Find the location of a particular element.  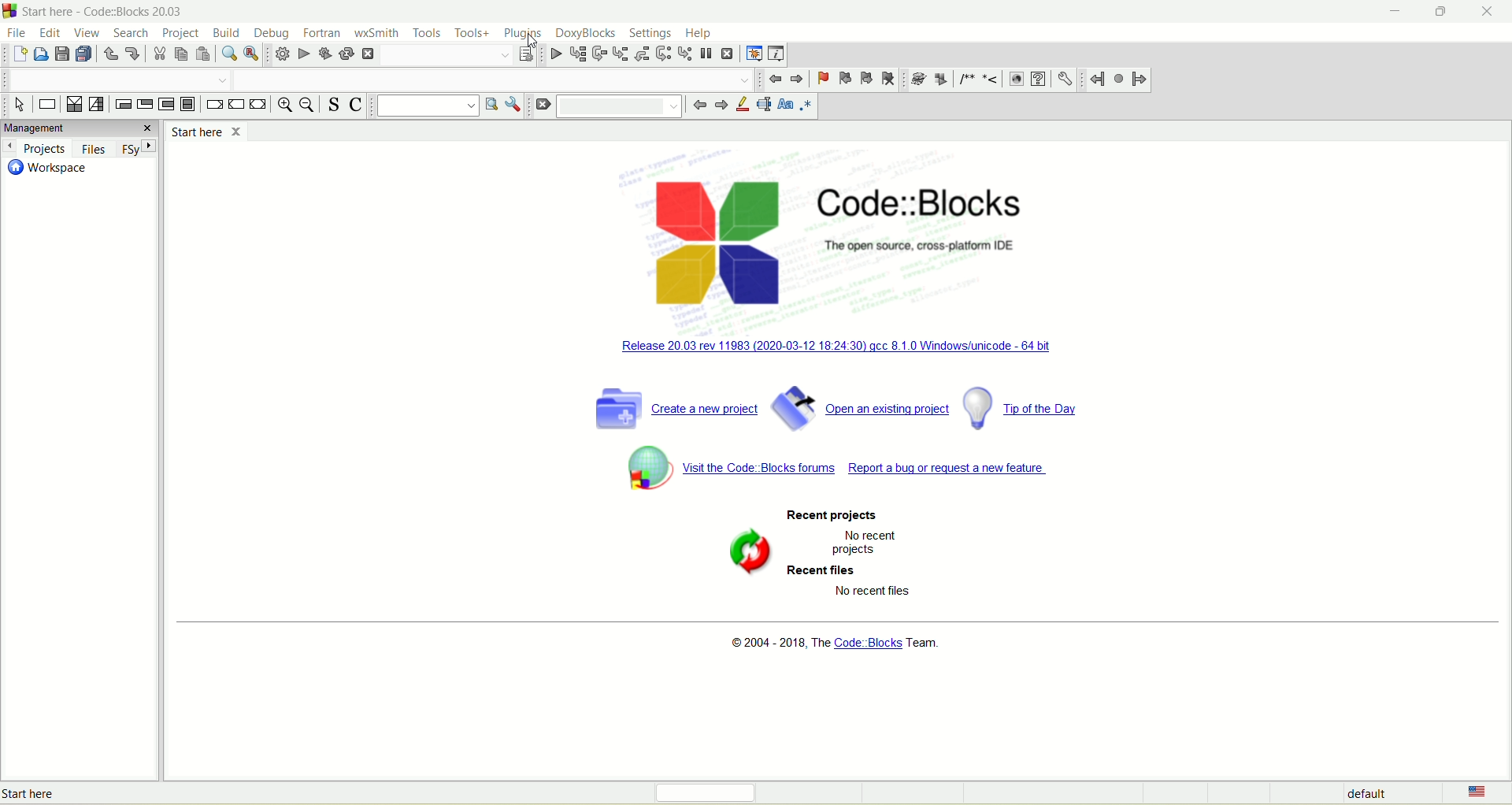

Search is located at coordinates (117, 80).